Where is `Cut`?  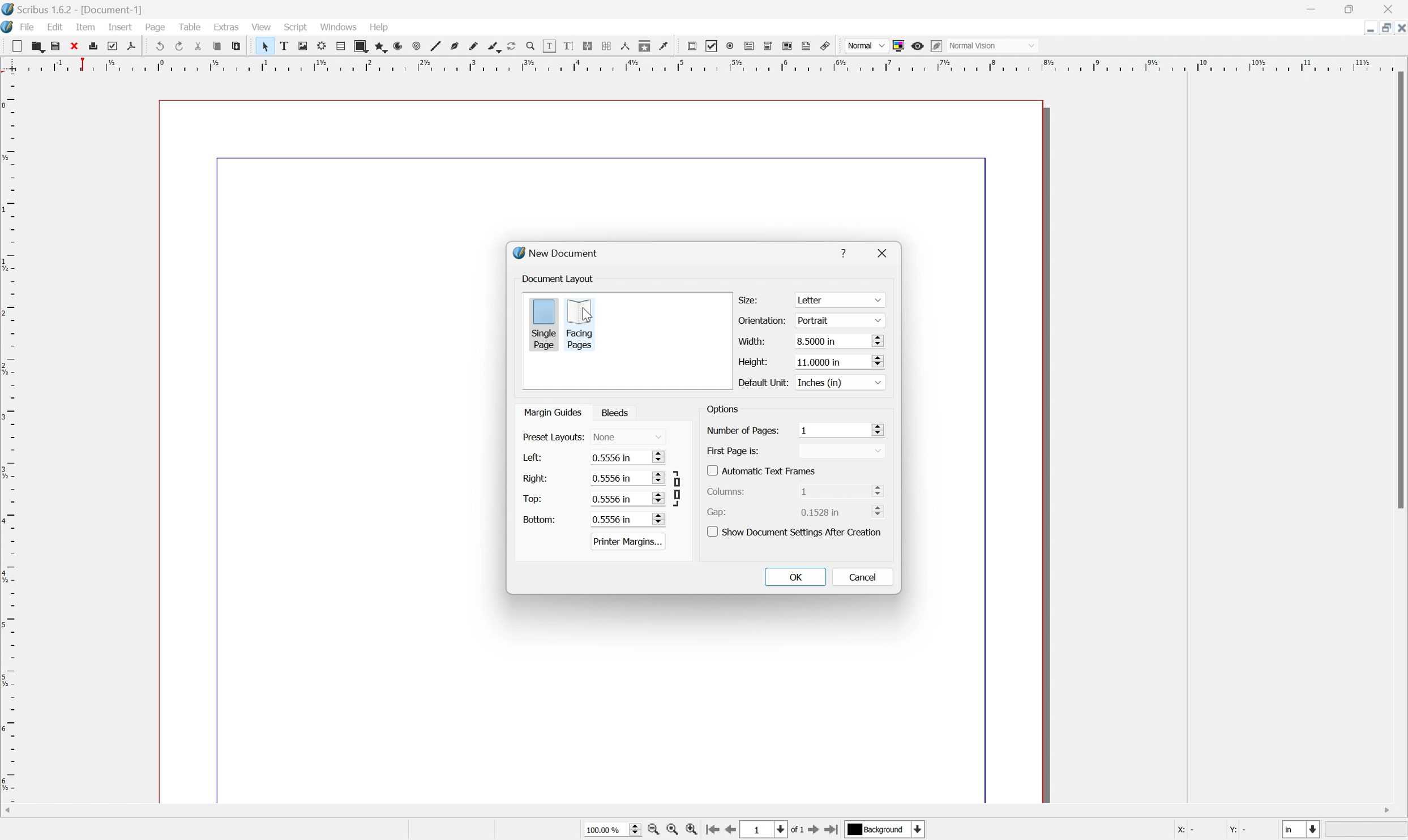 Cut is located at coordinates (201, 46).